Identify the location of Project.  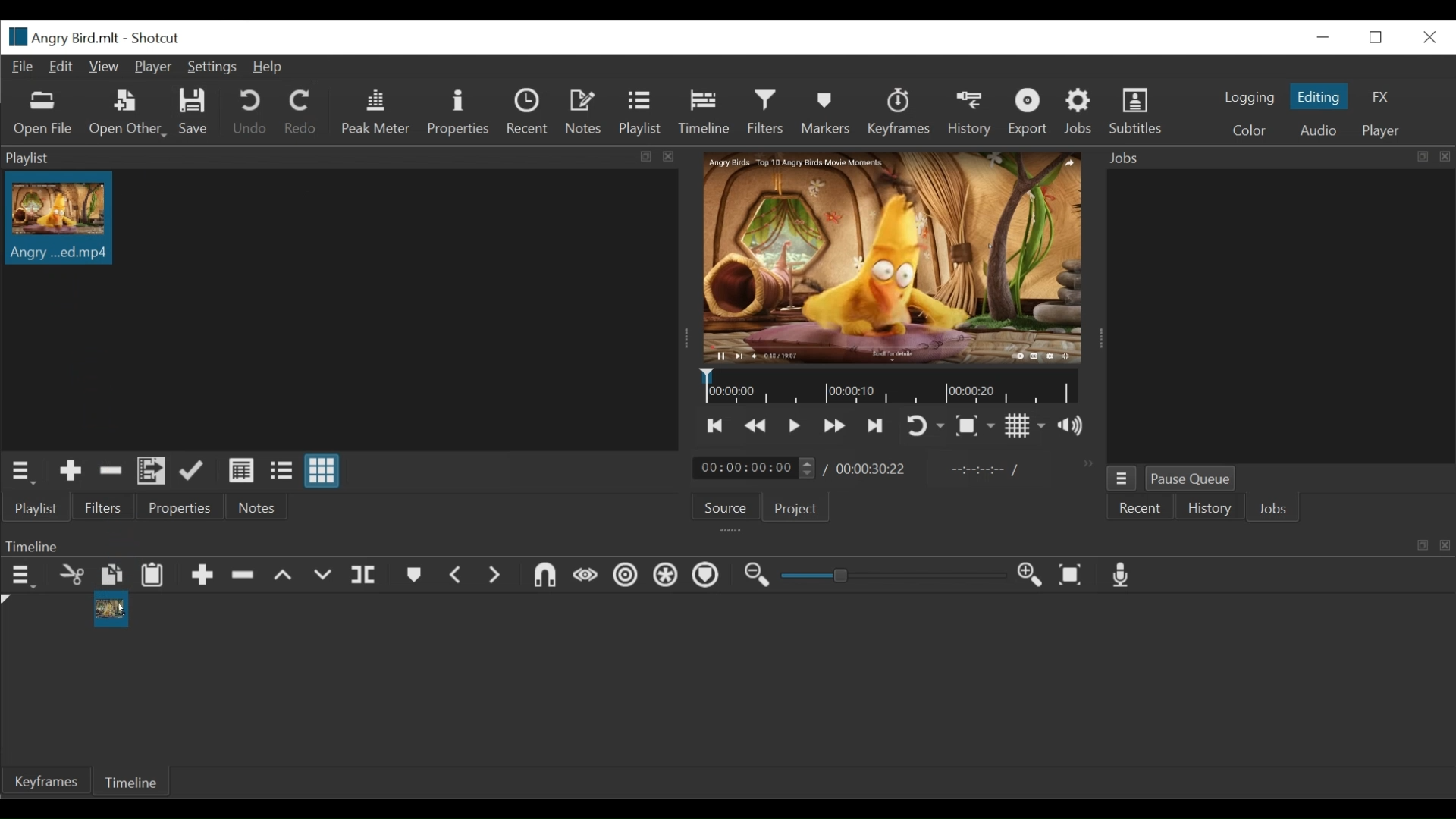
(799, 507).